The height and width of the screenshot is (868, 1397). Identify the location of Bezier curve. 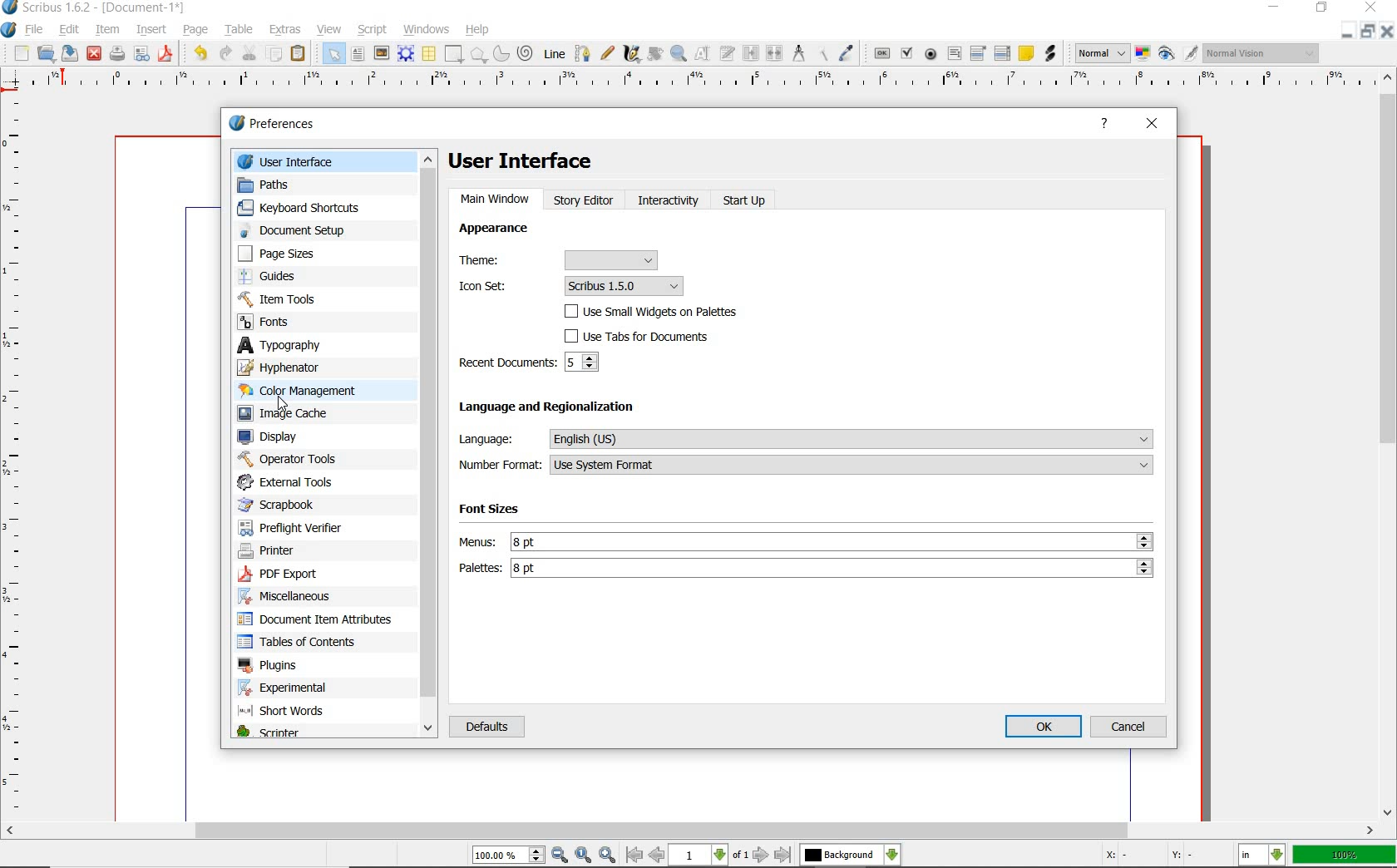
(582, 52).